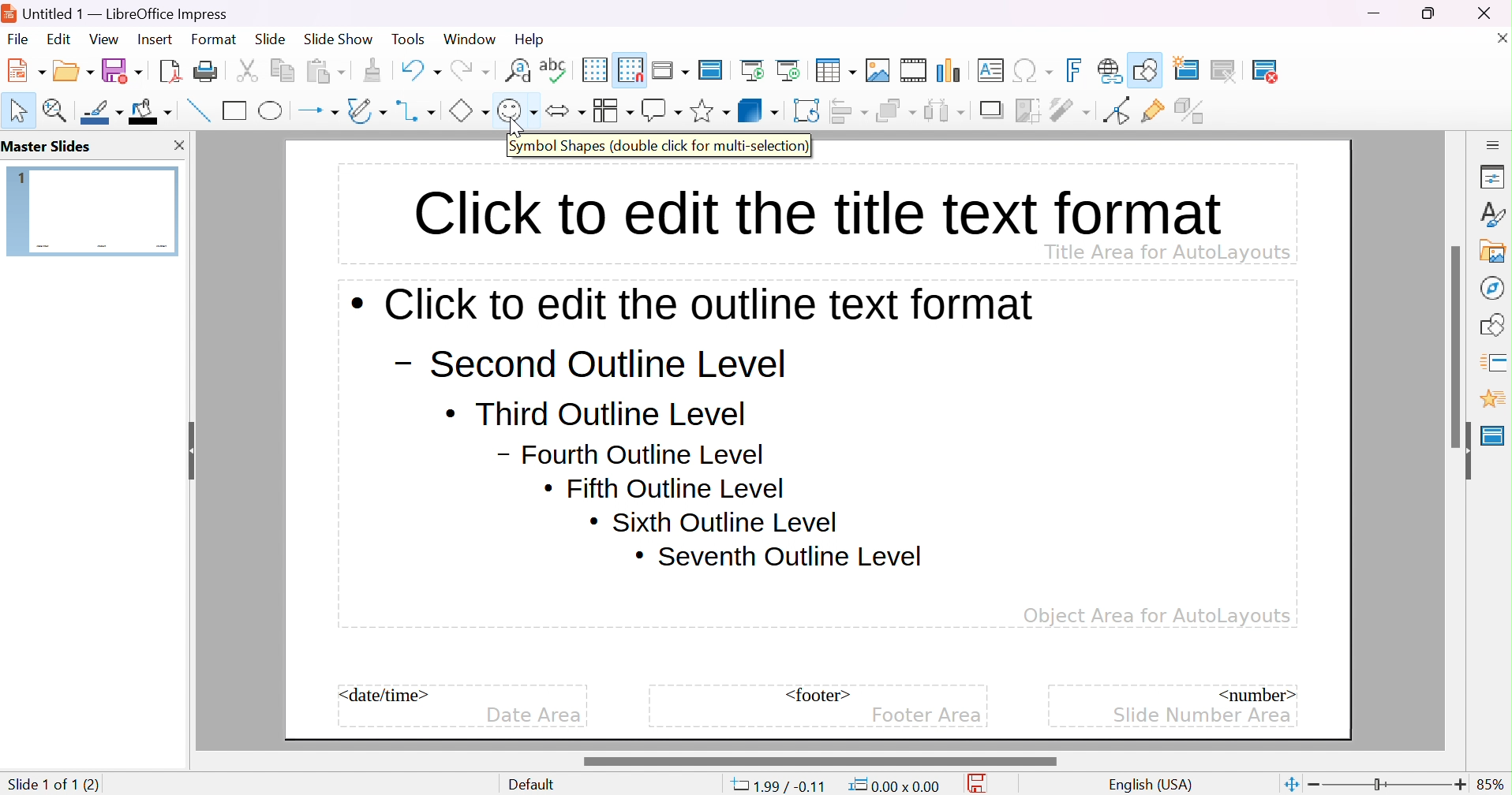 This screenshot has height=795, width=1512. I want to click on new slide, so click(1196, 68).